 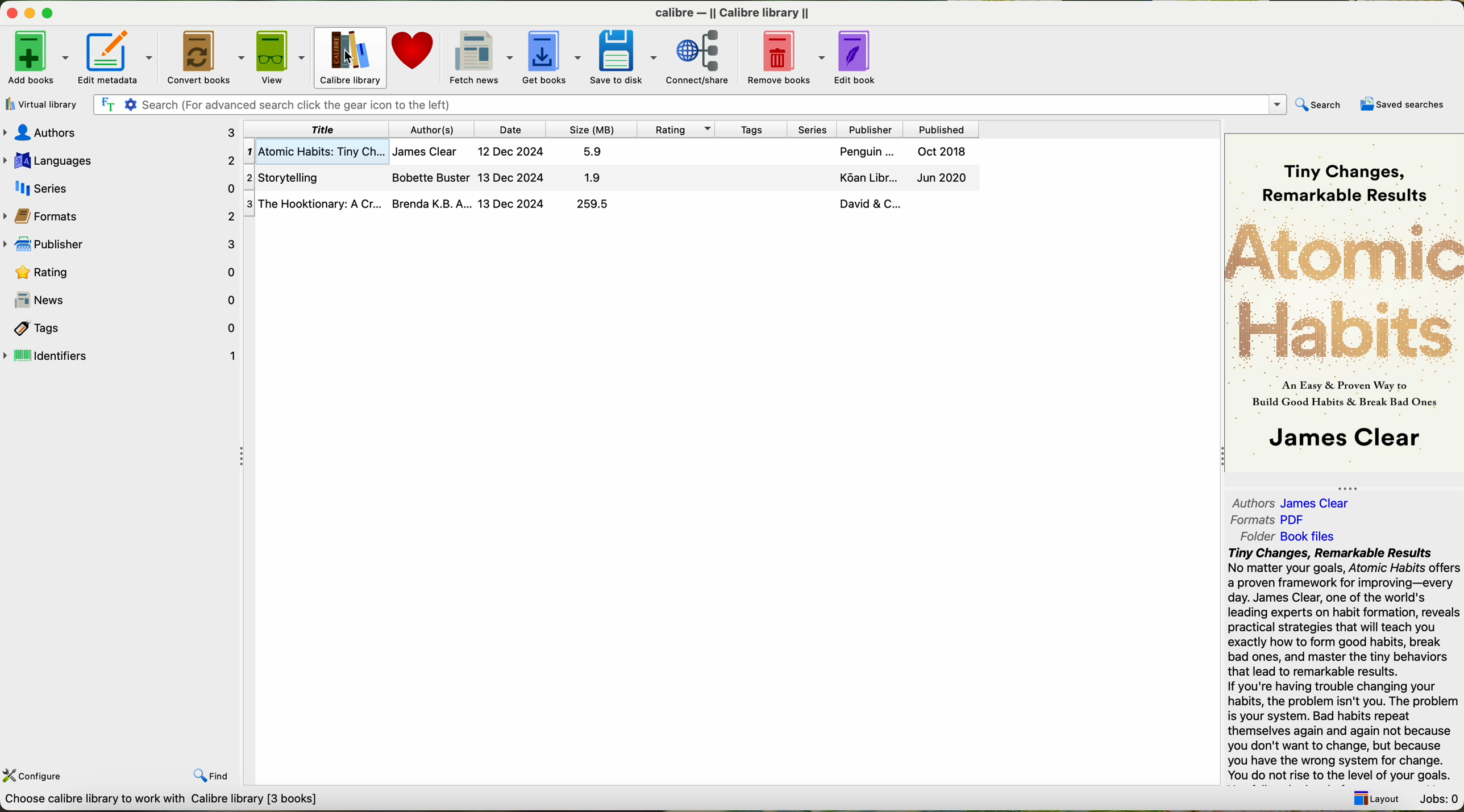 I want to click on close program, so click(x=10, y=13).